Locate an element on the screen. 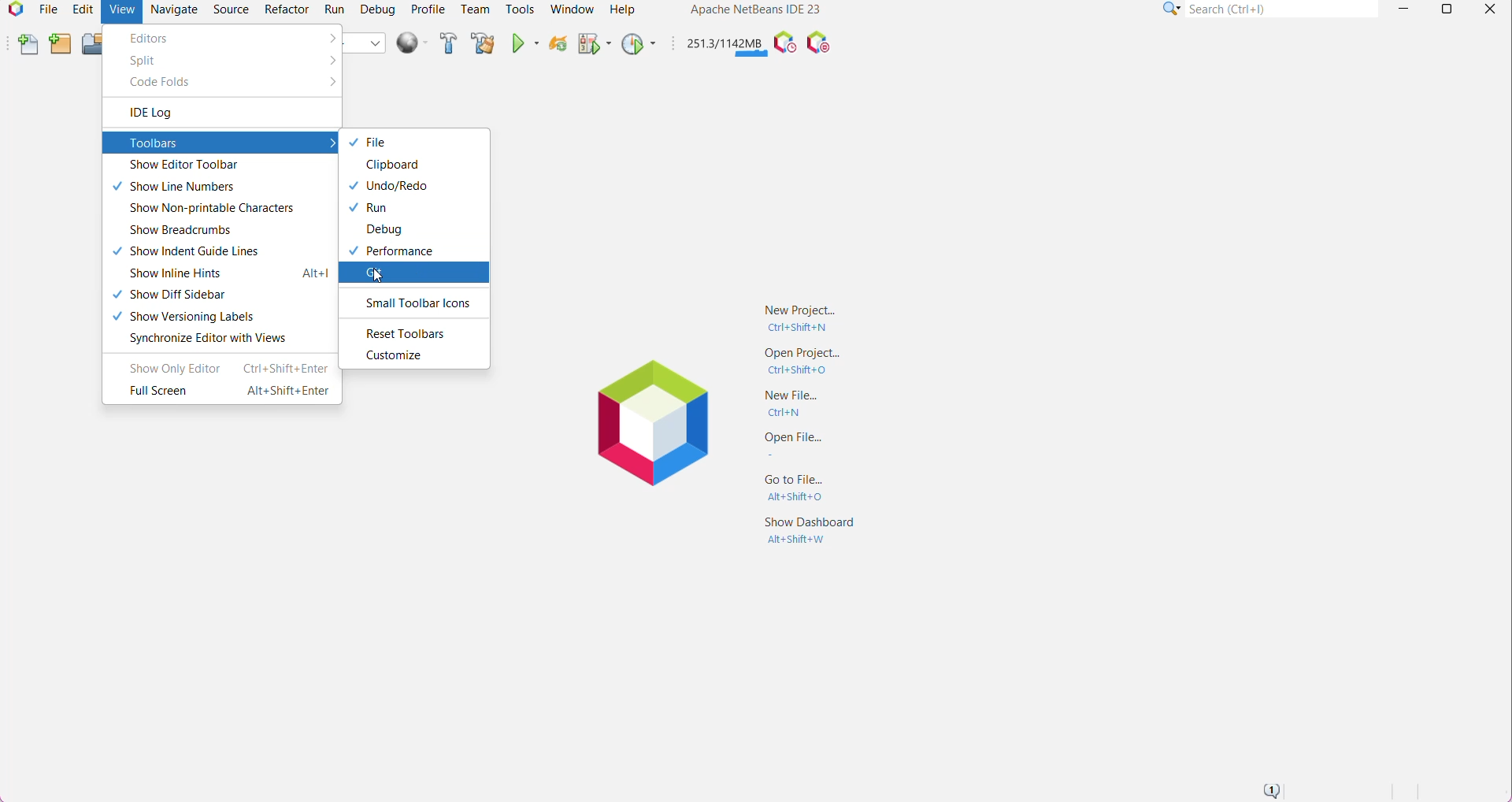 The image size is (1512, 802). New Project is located at coordinates (800, 317).